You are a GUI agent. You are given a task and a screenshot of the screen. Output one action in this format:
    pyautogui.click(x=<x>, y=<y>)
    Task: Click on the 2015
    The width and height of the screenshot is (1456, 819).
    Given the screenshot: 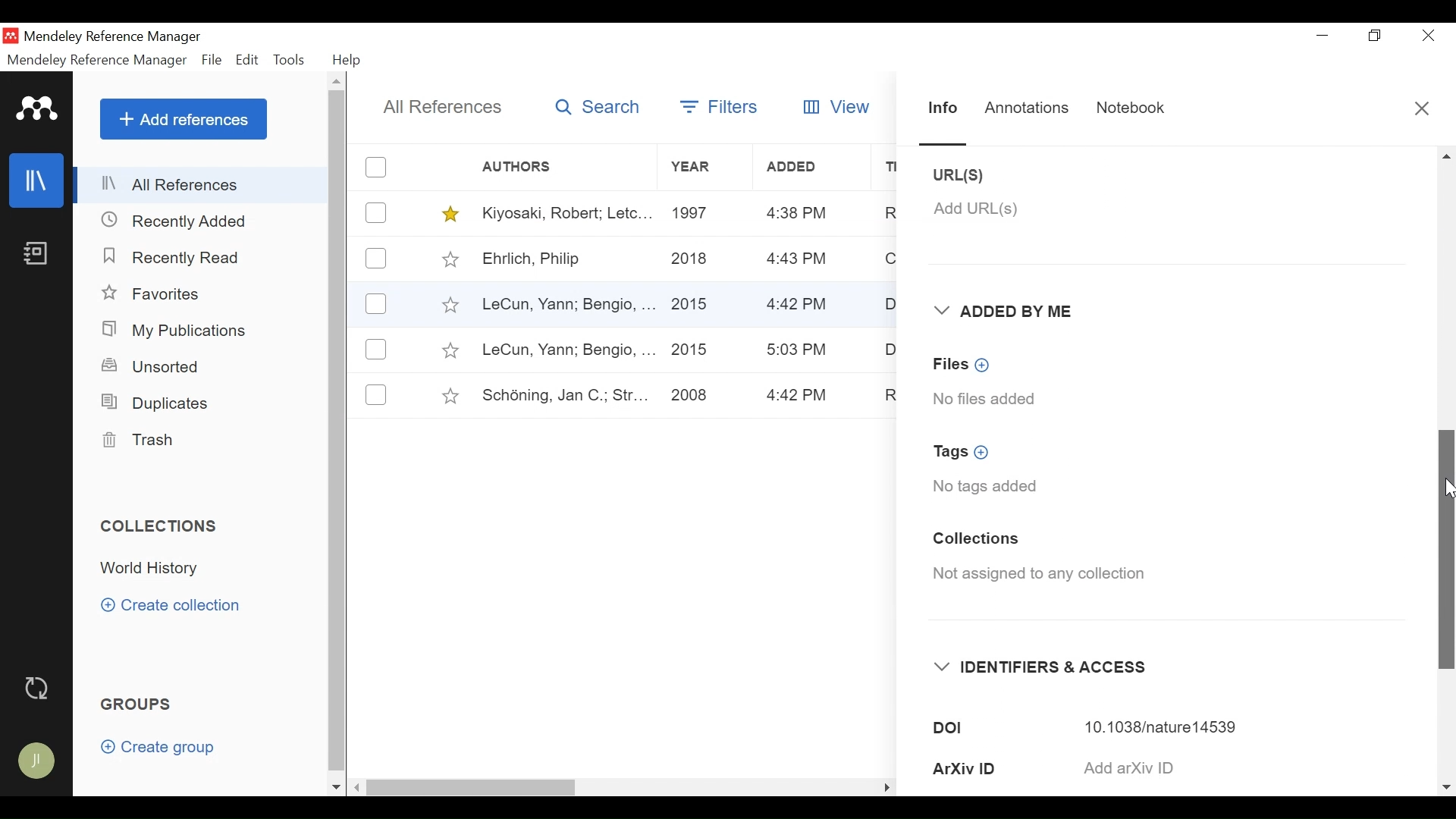 What is the action you would take?
    pyautogui.click(x=691, y=347)
    